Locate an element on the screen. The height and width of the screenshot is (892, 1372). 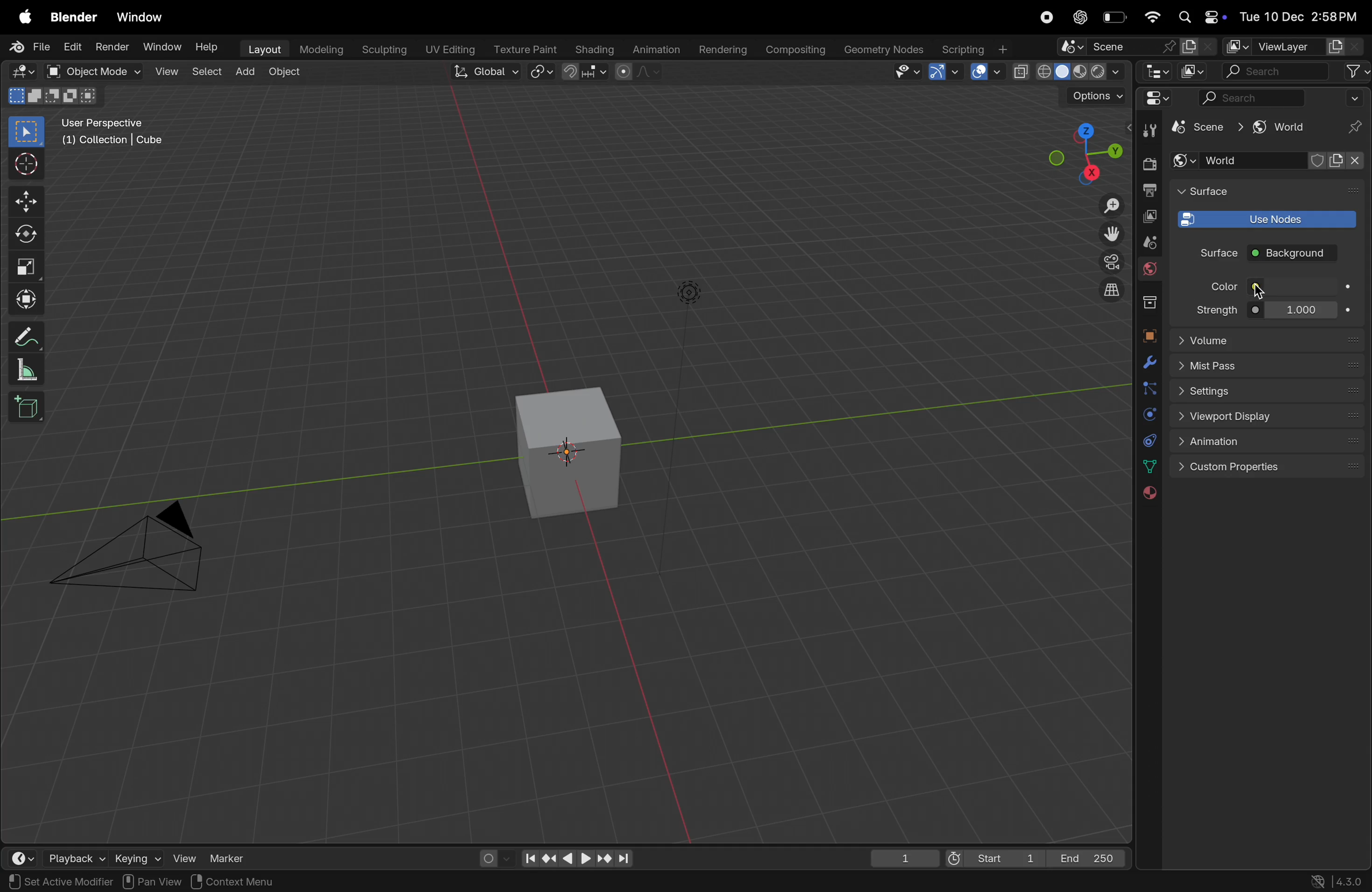
filter is located at coordinates (1354, 72).